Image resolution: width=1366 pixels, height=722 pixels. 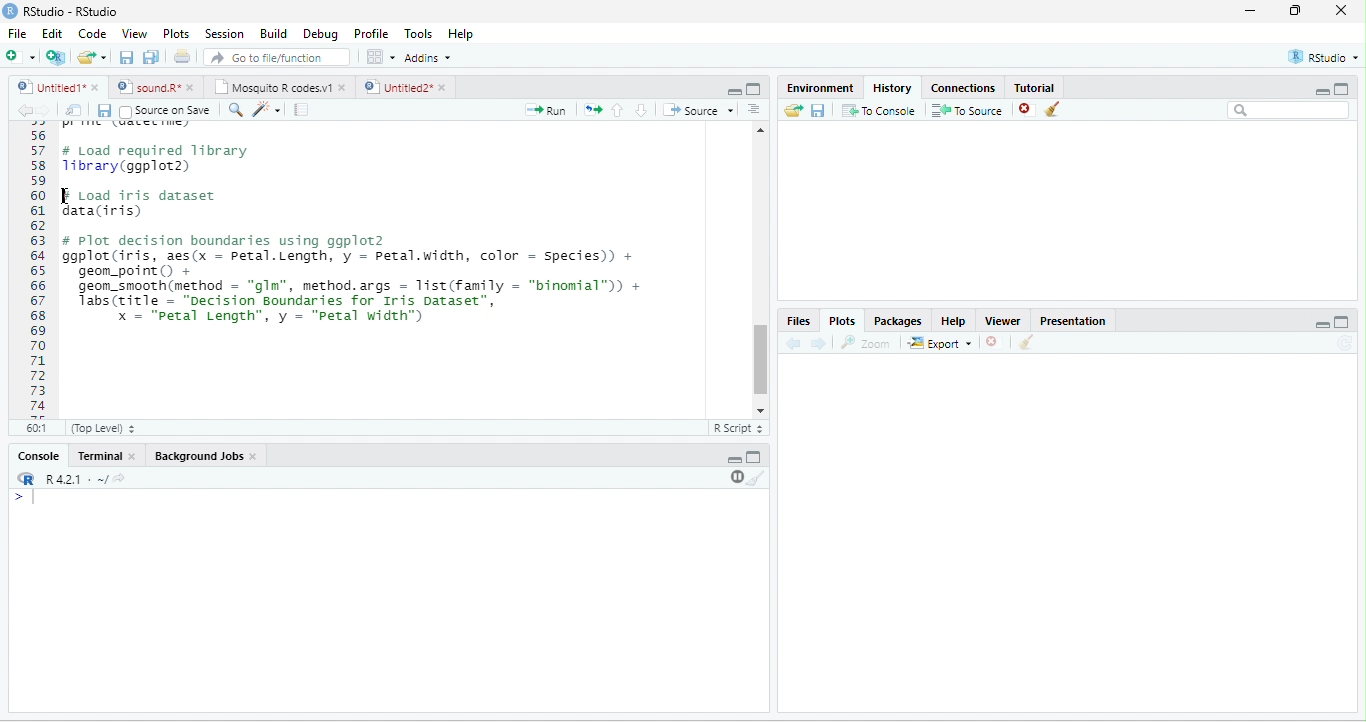 What do you see at coordinates (1027, 342) in the screenshot?
I see `clear` at bounding box center [1027, 342].